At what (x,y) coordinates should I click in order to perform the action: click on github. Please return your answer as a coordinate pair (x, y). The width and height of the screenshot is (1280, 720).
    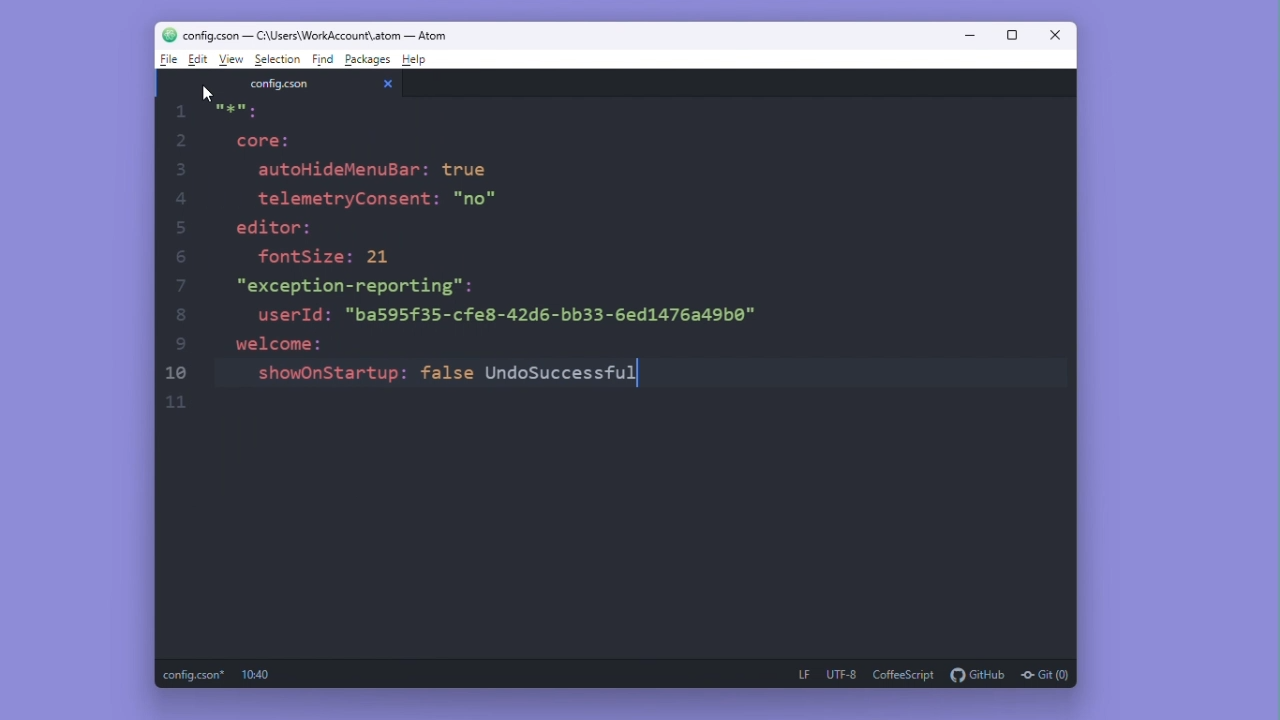
    Looking at the image, I should click on (977, 674).